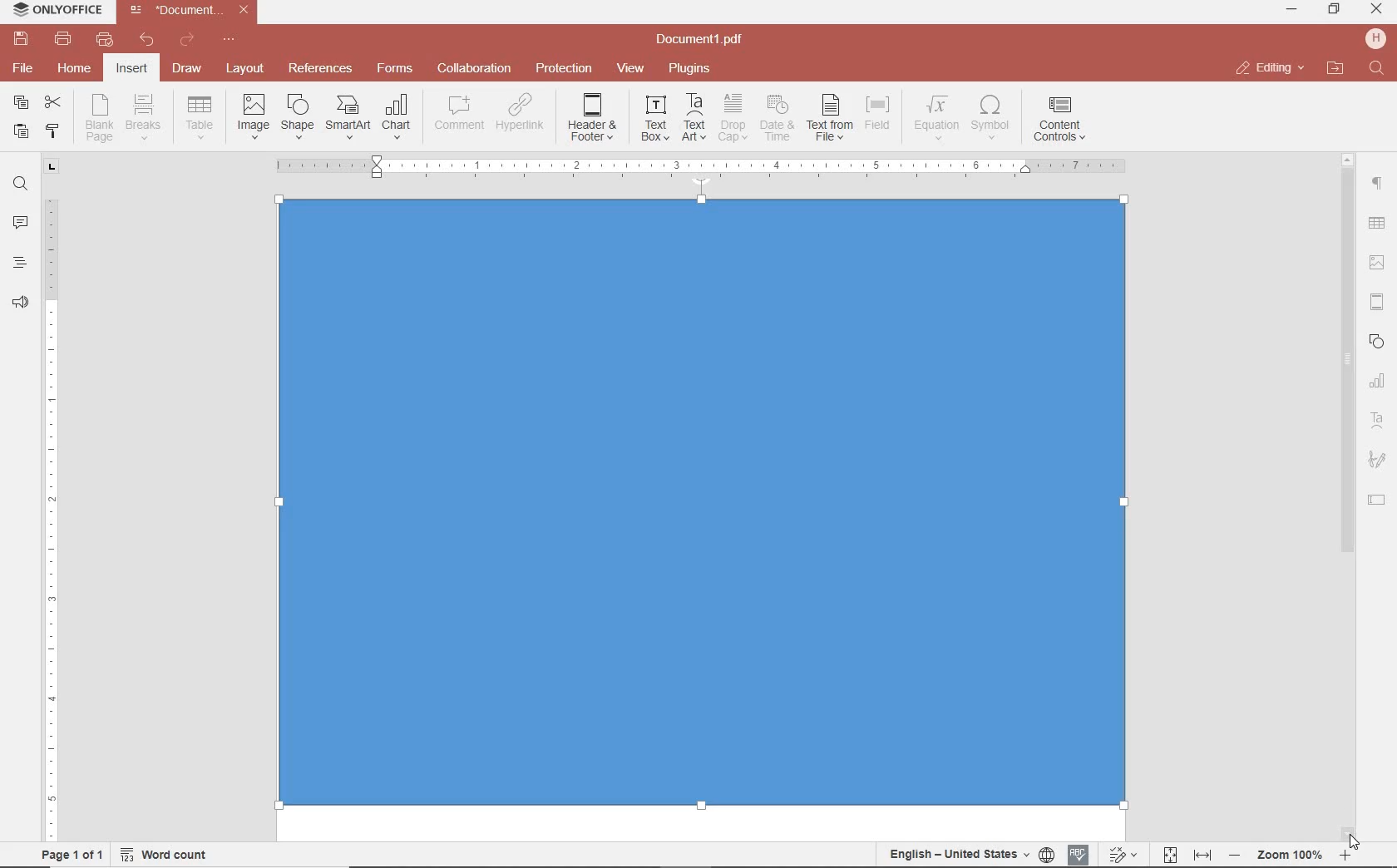  I want to click on close, so click(1269, 68).